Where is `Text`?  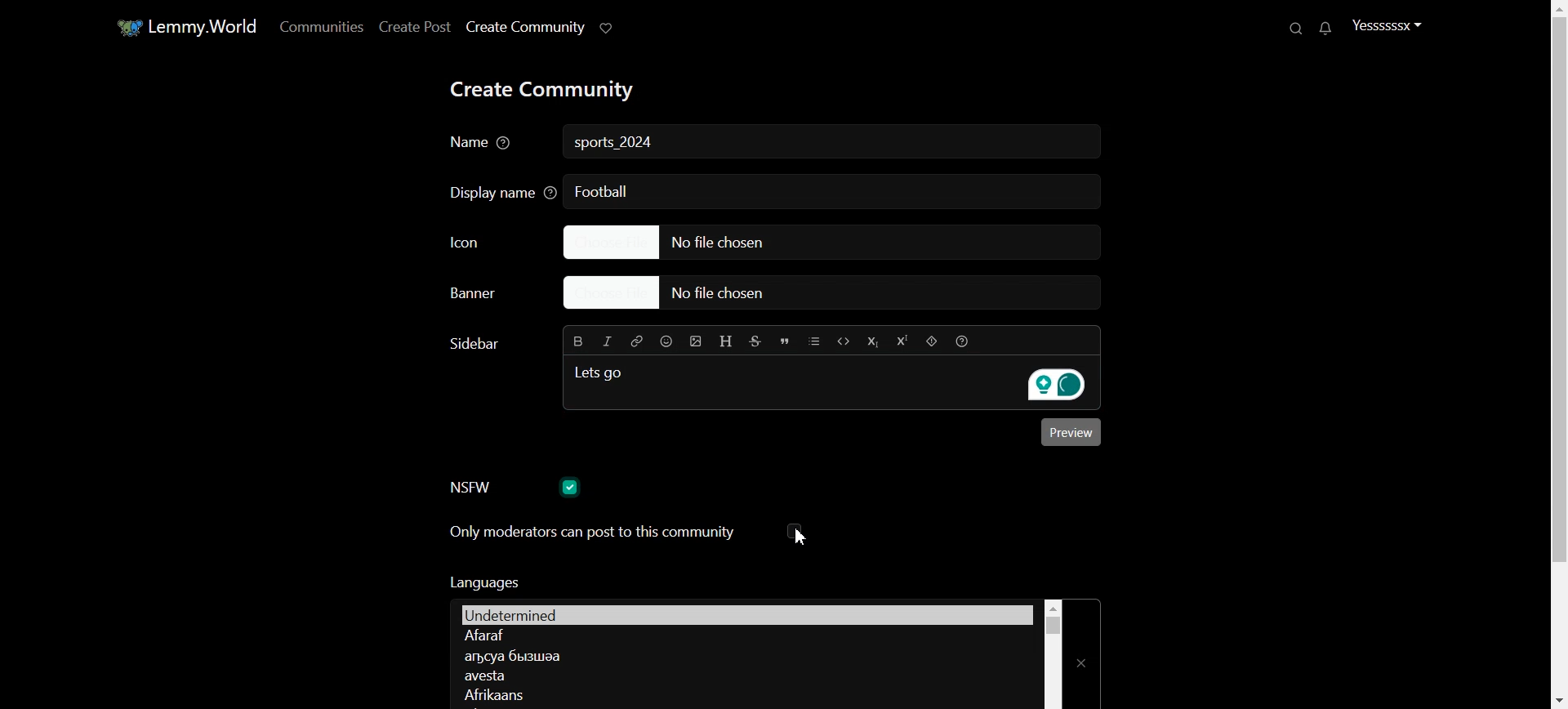
Text is located at coordinates (602, 372).